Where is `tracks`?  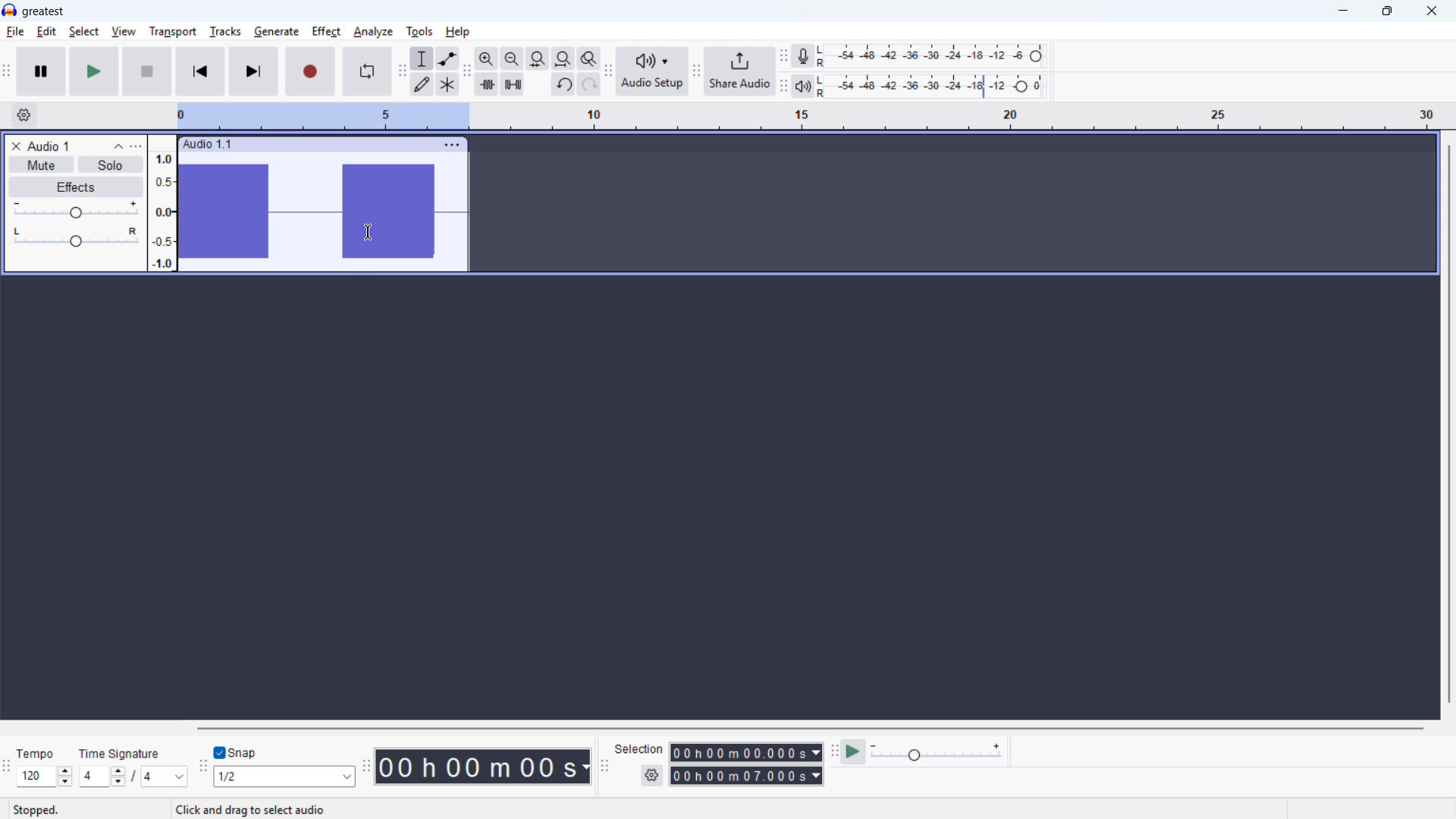 tracks is located at coordinates (226, 32).